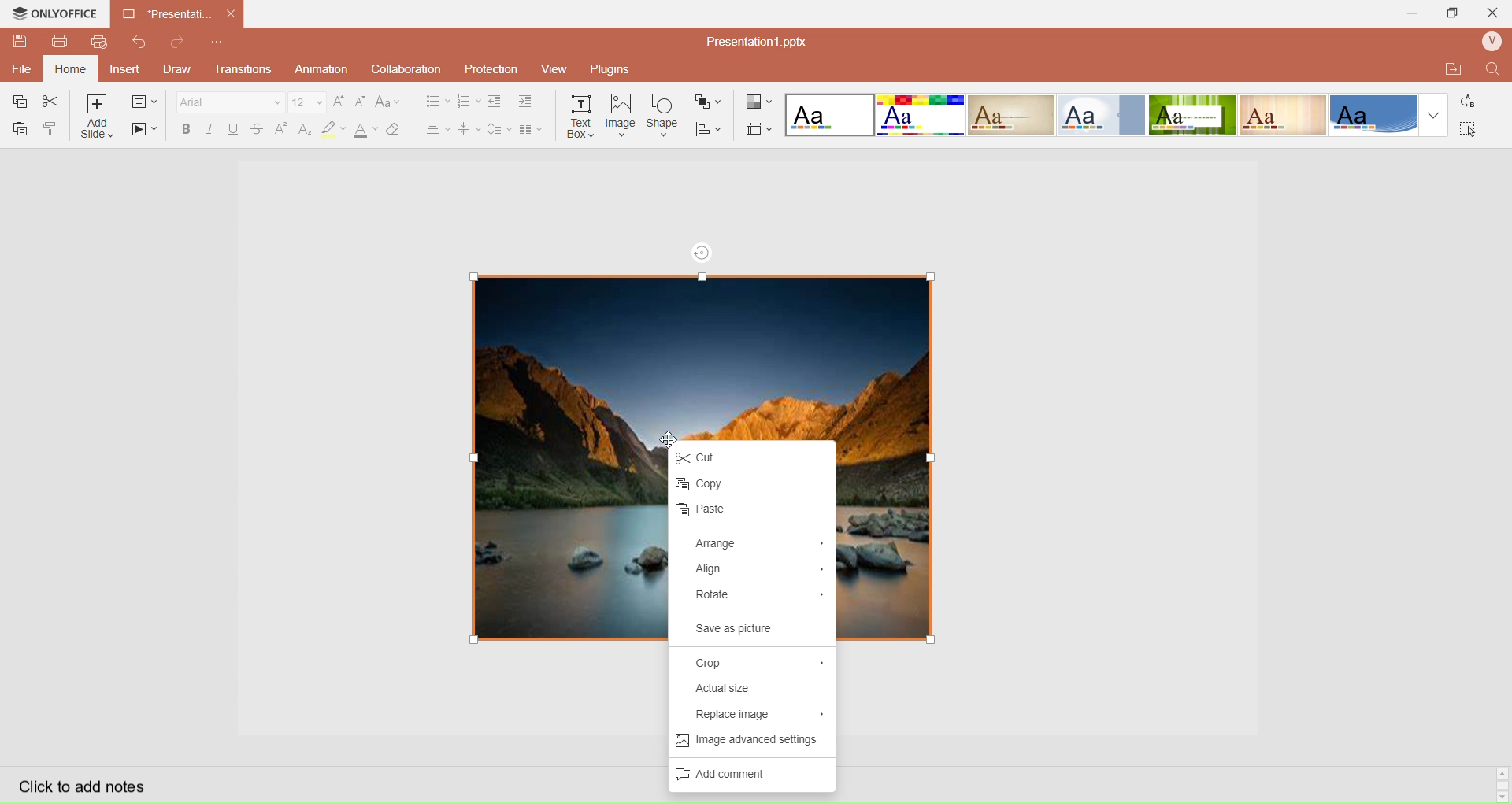 This screenshot has height=803, width=1512. Describe the element at coordinates (391, 102) in the screenshot. I see `Change Case` at that location.